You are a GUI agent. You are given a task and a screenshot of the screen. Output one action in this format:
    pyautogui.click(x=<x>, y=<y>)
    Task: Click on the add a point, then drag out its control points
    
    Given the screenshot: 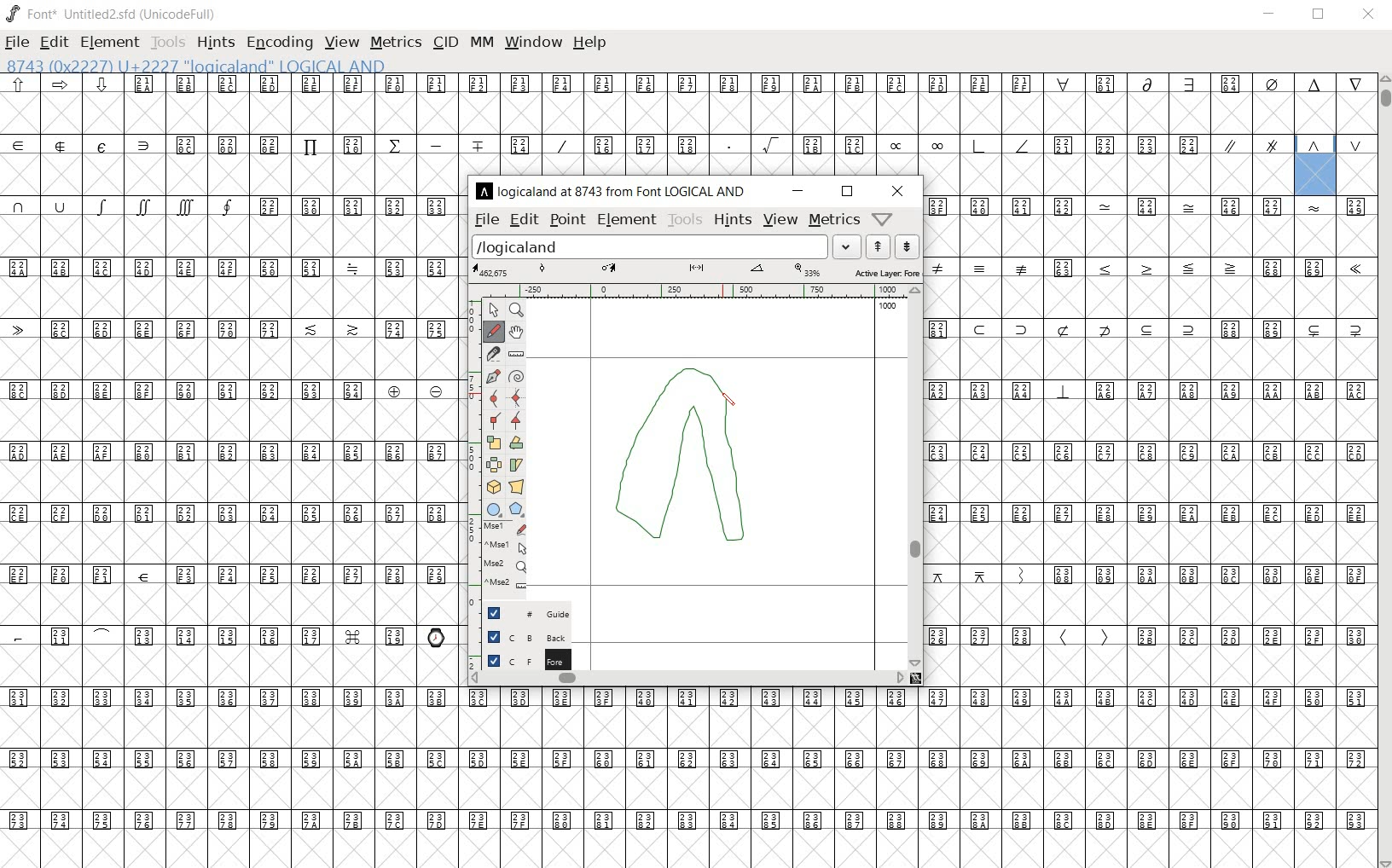 What is the action you would take?
    pyautogui.click(x=495, y=376)
    